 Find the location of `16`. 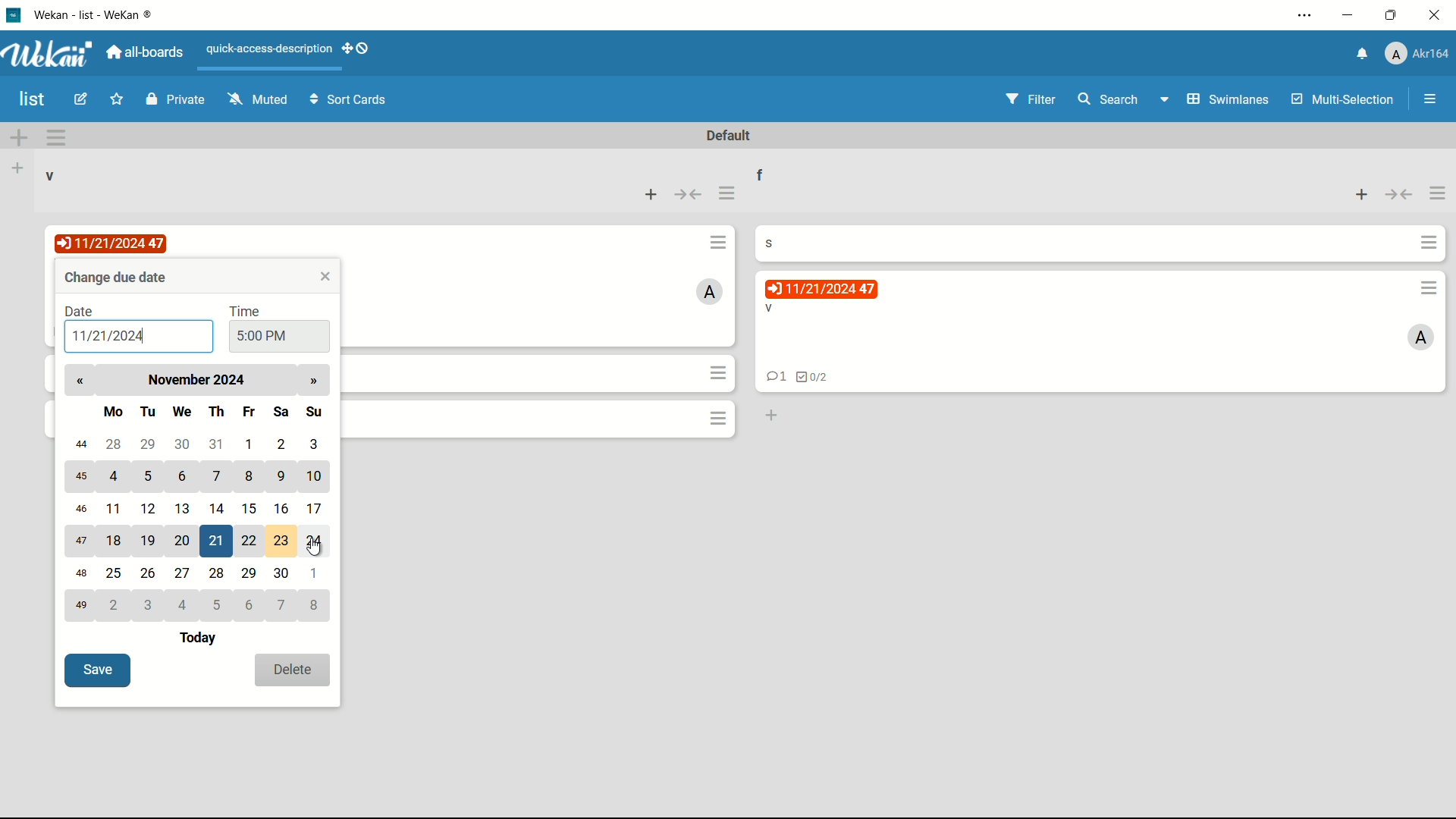

16 is located at coordinates (283, 508).